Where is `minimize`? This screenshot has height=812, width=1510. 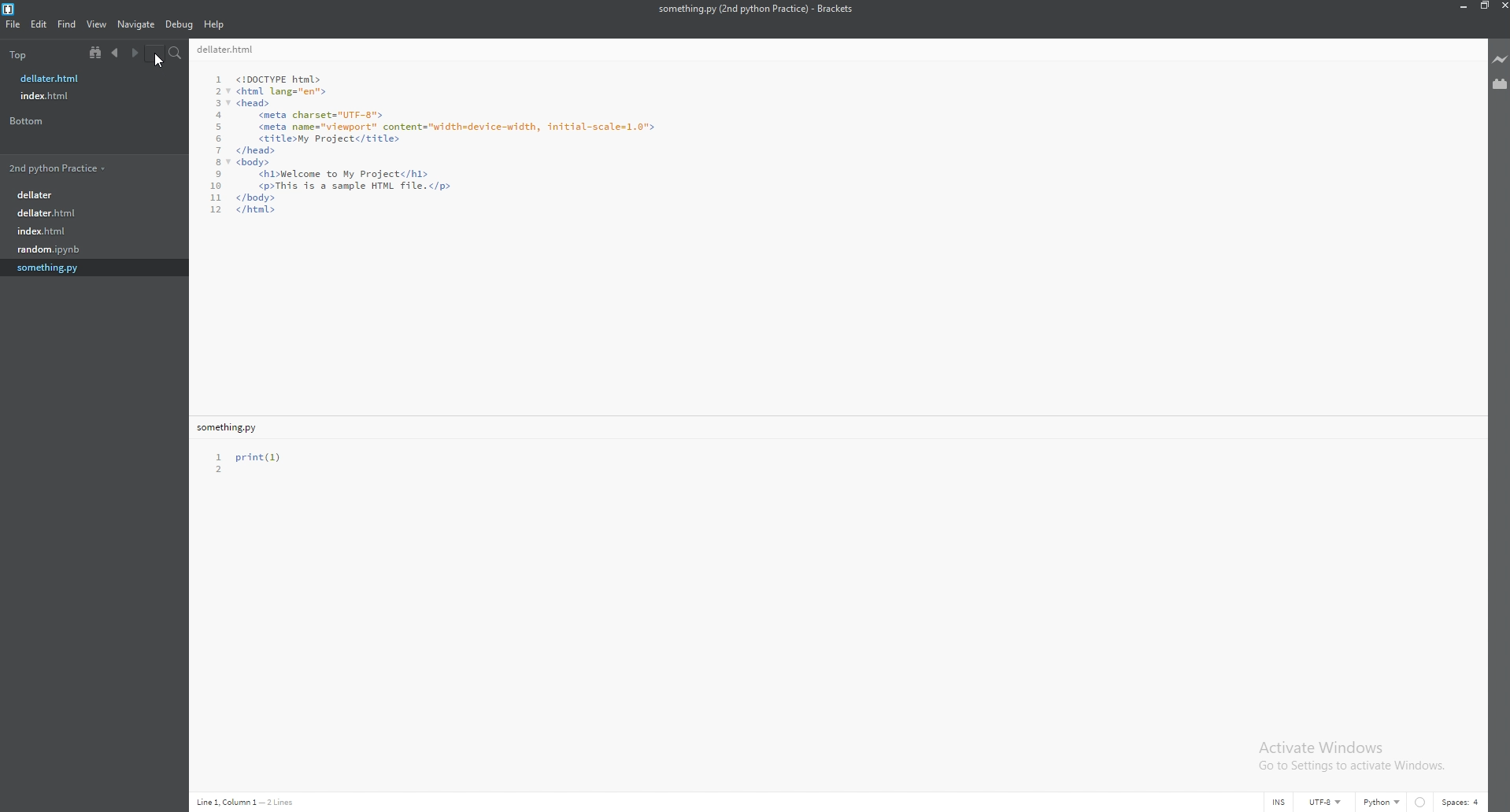 minimize is located at coordinates (1462, 6).